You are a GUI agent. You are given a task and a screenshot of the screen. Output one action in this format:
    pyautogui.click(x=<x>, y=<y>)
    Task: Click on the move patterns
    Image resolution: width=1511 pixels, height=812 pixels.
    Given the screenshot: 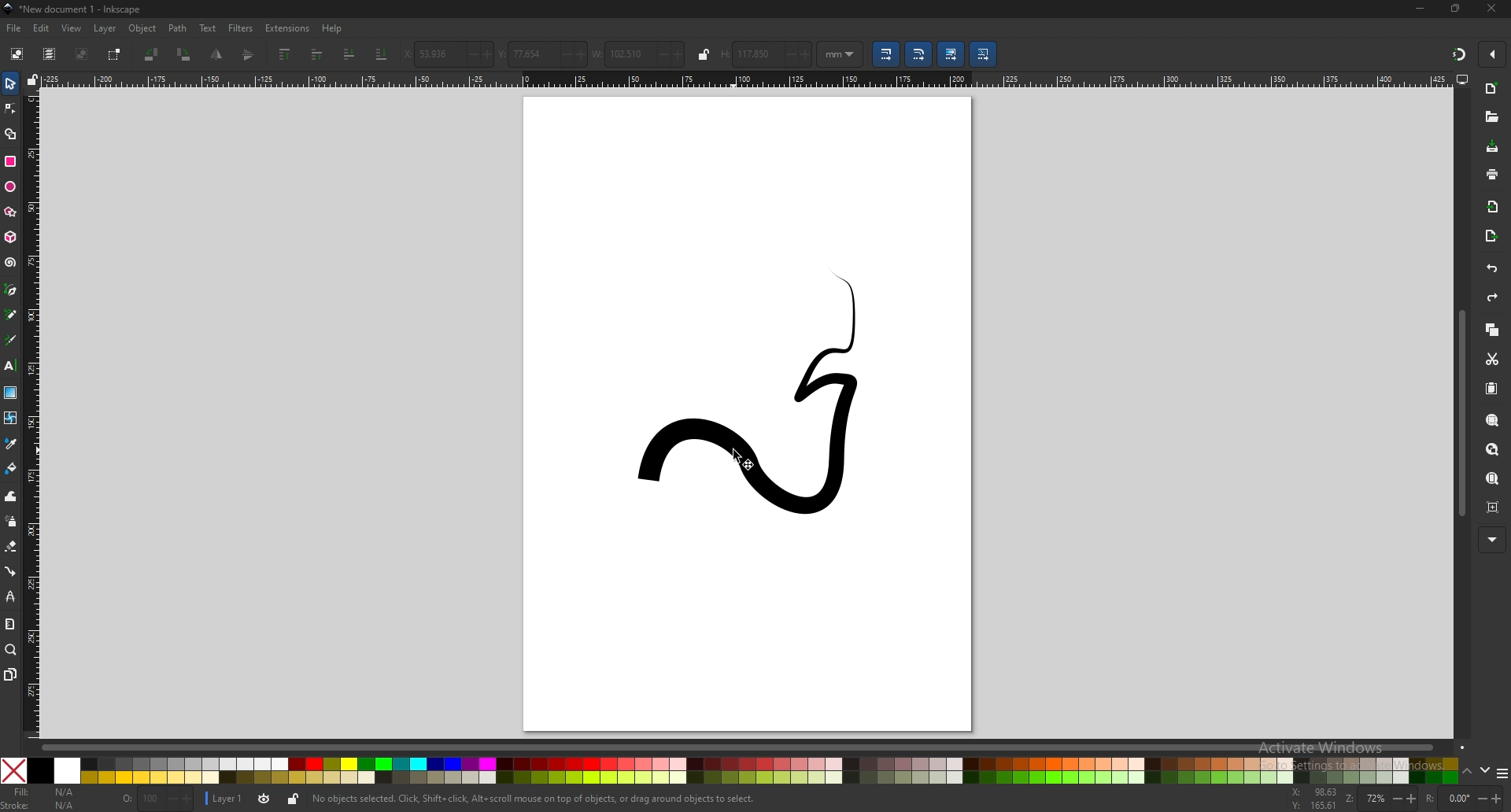 What is the action you would take?
    pyautogui.click(x=983, y=54)
    